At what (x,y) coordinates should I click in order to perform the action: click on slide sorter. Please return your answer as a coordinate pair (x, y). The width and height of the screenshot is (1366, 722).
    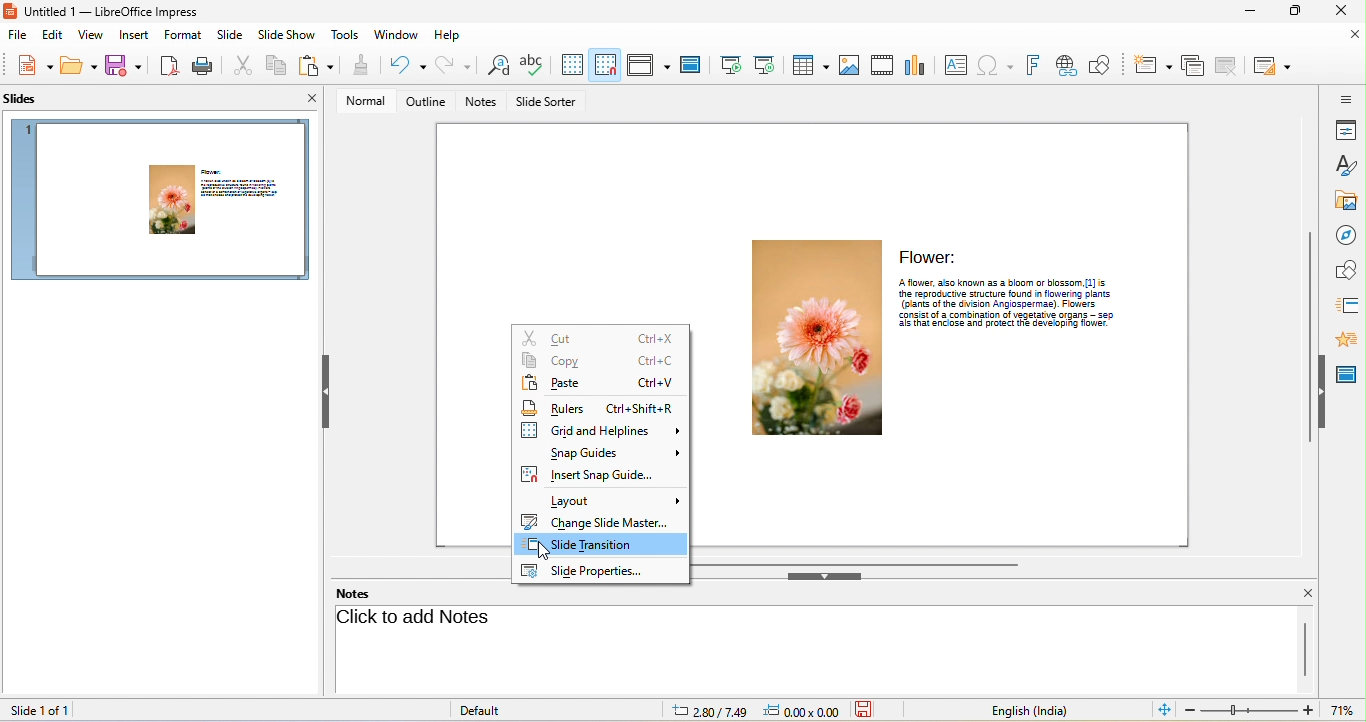
    Looking at the image, I should click on (549, 102).